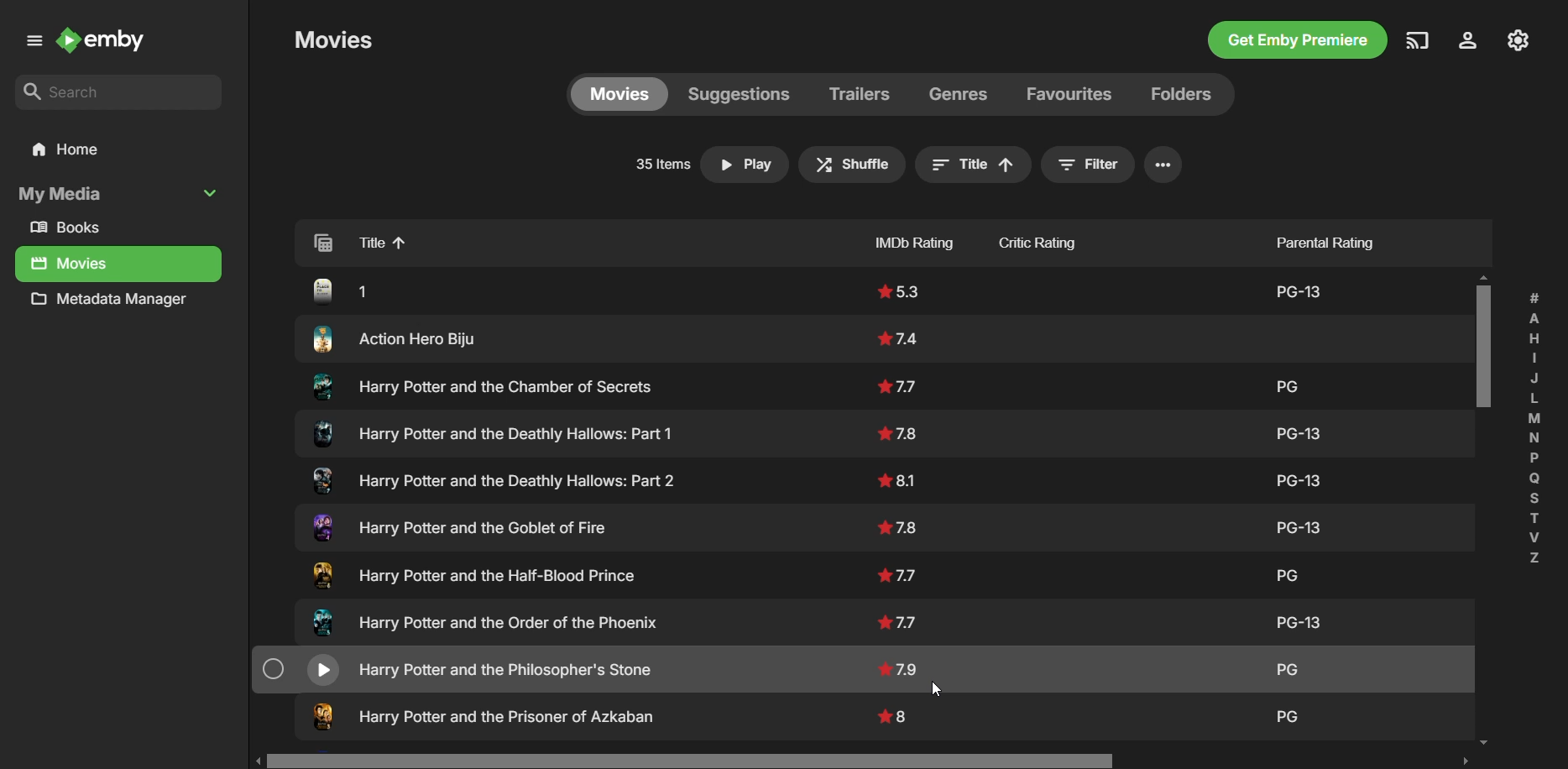 The width and height of the screenshot is (1568, 769). Describe the element at coordinates (657, 166) in the screenshot. I see `Number of items` at that location.